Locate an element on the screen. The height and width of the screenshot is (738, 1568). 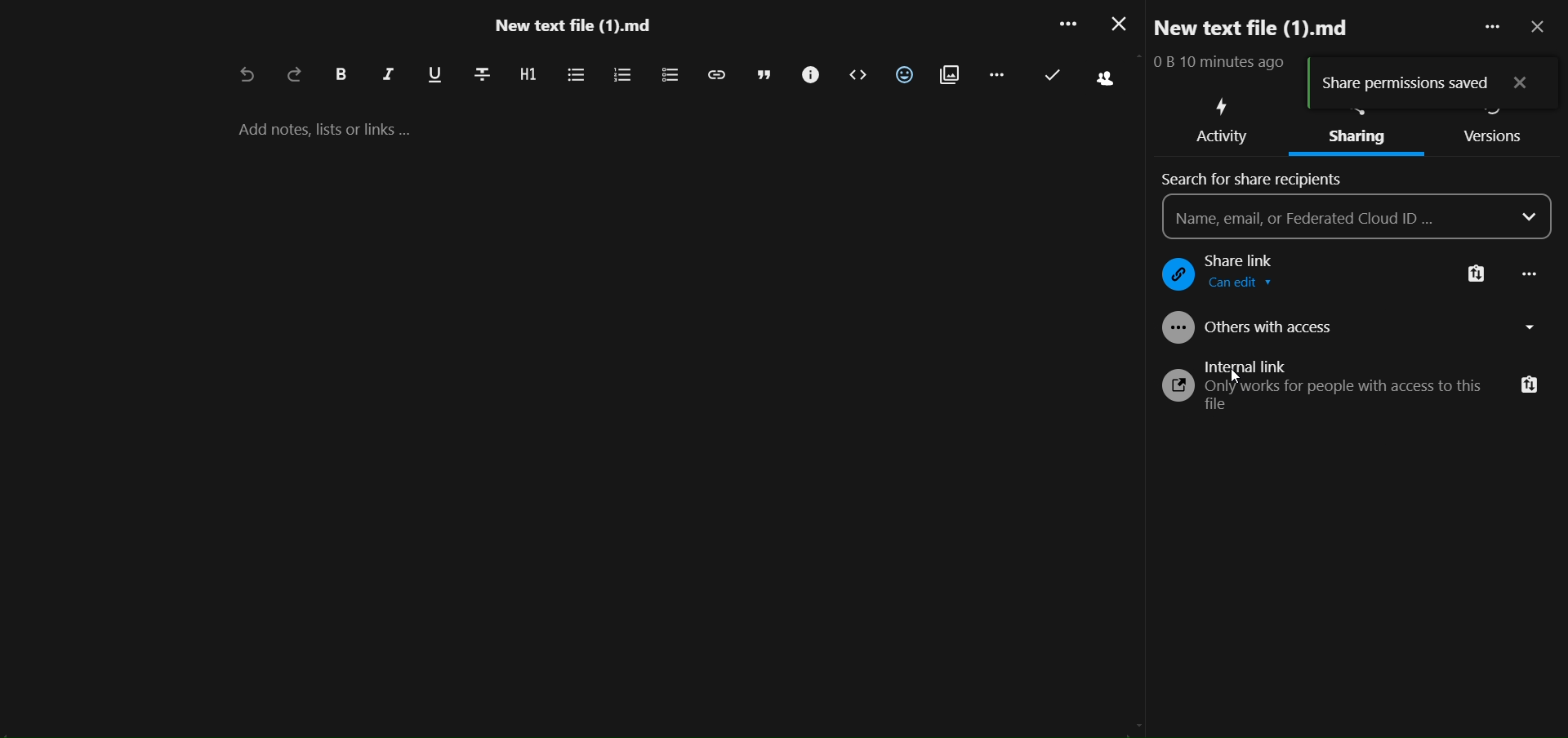
share link is located at coordinates (1255, 260).